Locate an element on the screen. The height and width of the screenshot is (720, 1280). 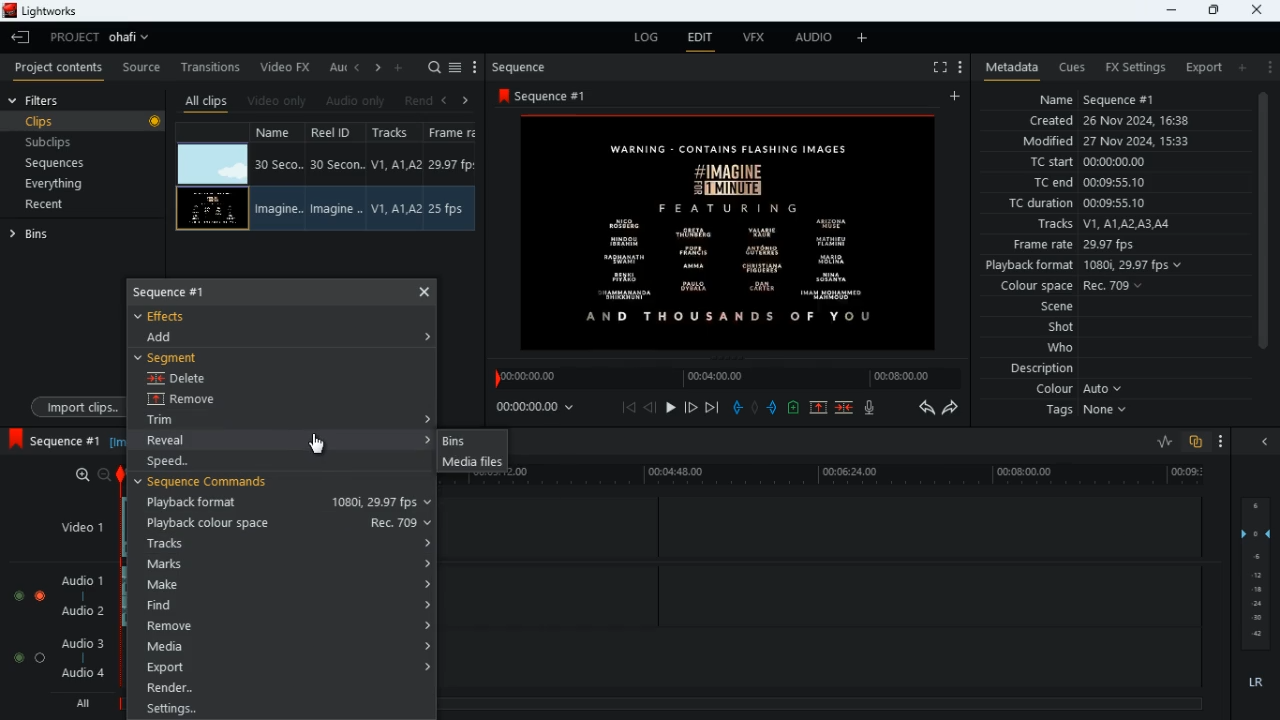
close is located at coordinates (1268, 442).